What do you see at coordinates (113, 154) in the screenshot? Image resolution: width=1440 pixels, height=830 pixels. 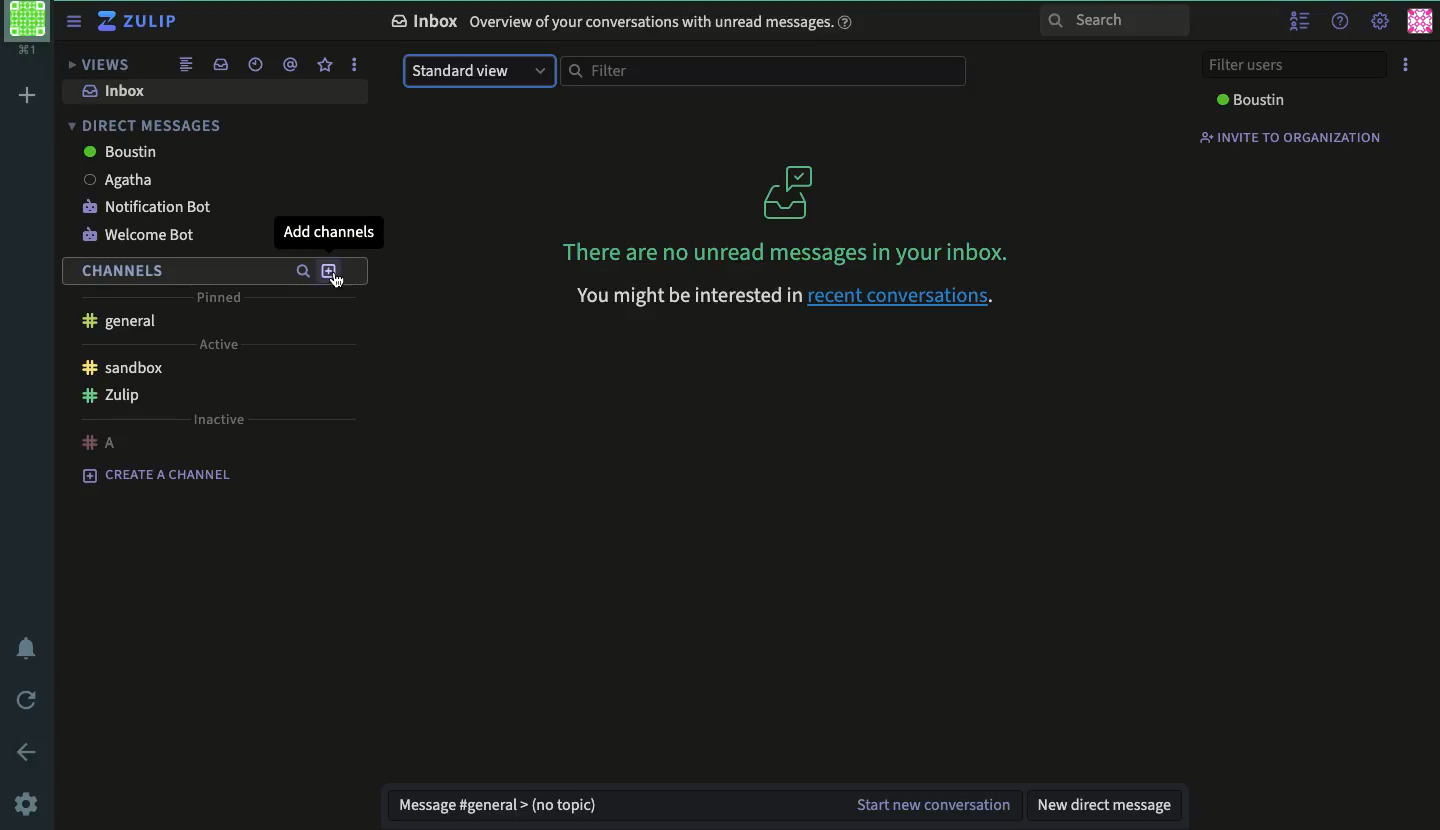 I see `boustin` at bounding box center [113, 154].